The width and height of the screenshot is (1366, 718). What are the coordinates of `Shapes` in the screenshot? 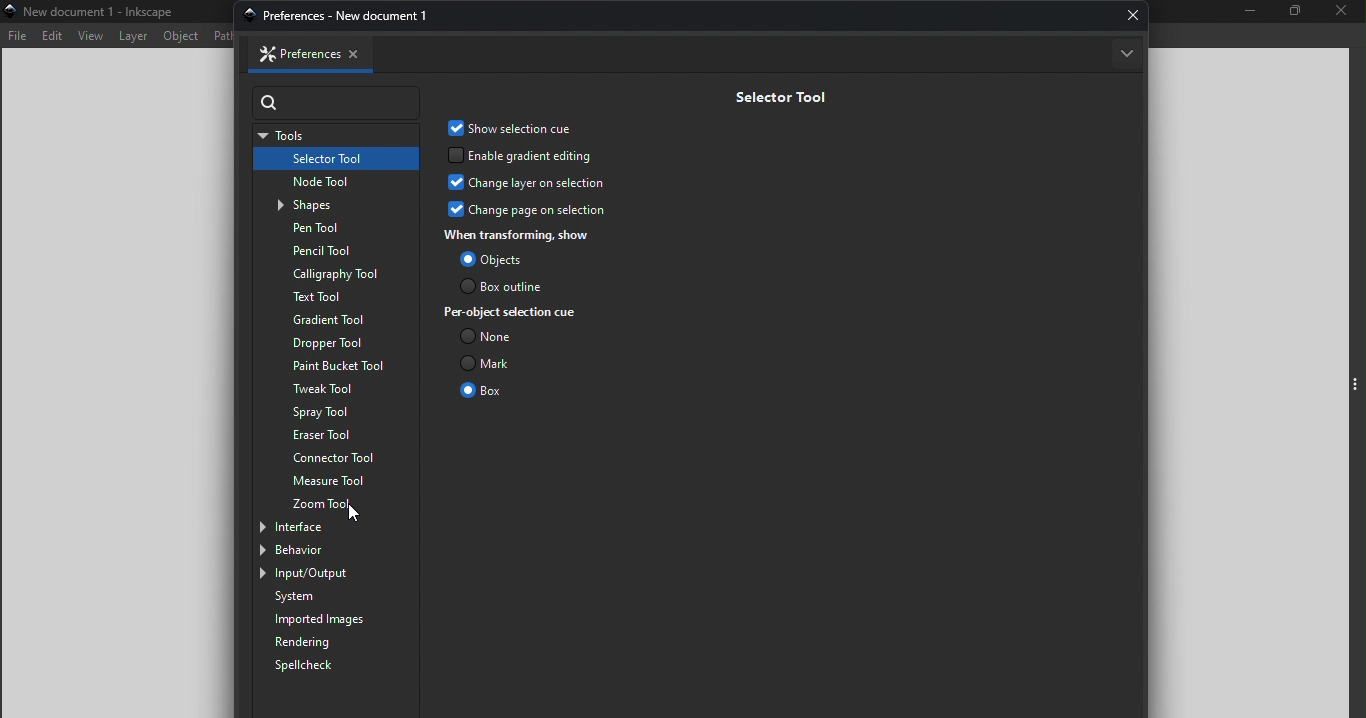 It's located at (310, 205).